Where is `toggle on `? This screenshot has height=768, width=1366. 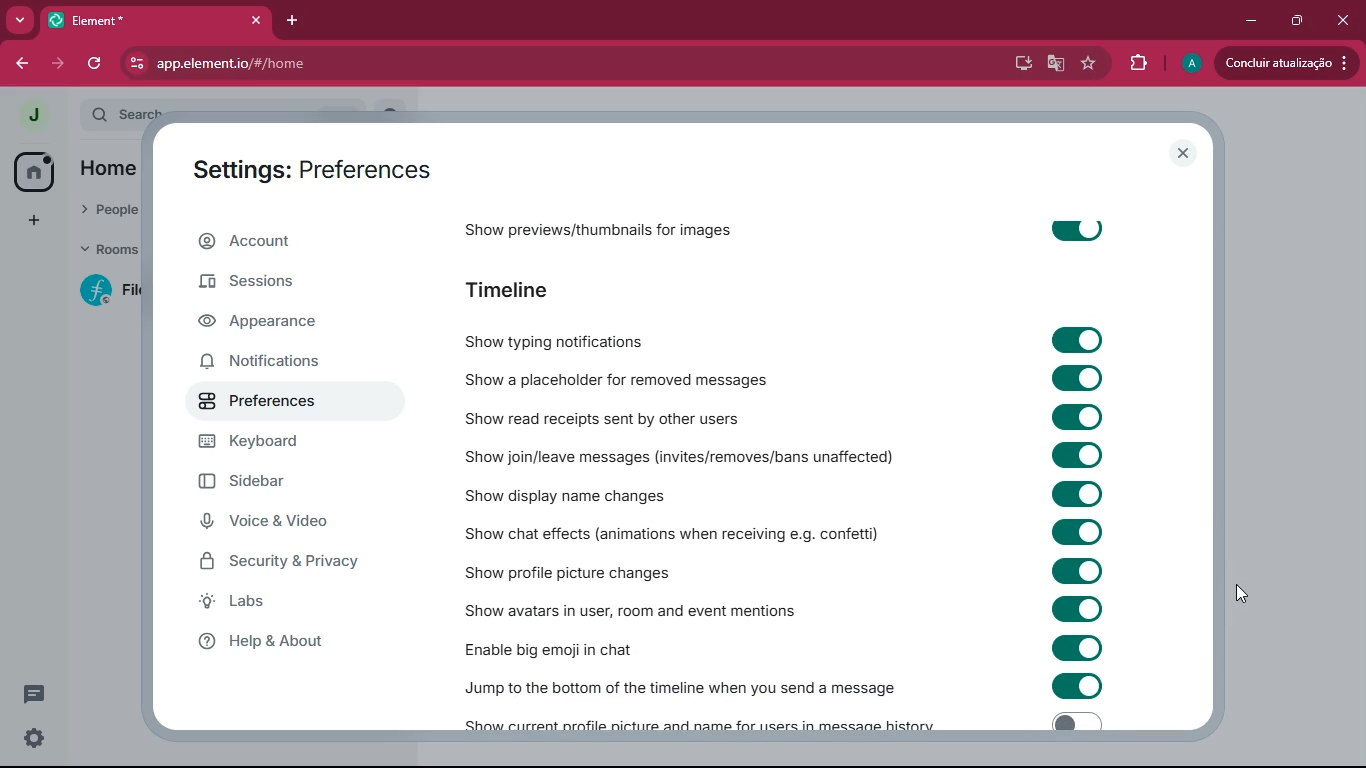
toggle on  is located at coordinates (1081, 648).